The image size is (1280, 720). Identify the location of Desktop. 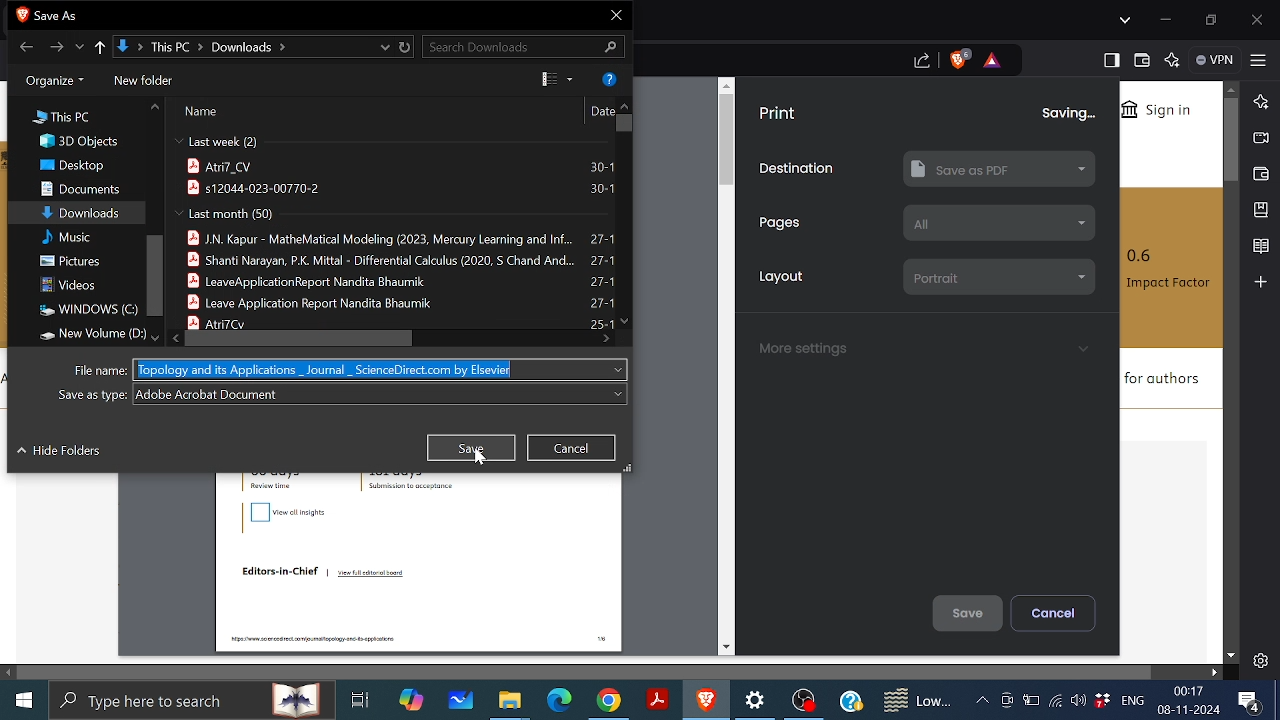
(74, 166).